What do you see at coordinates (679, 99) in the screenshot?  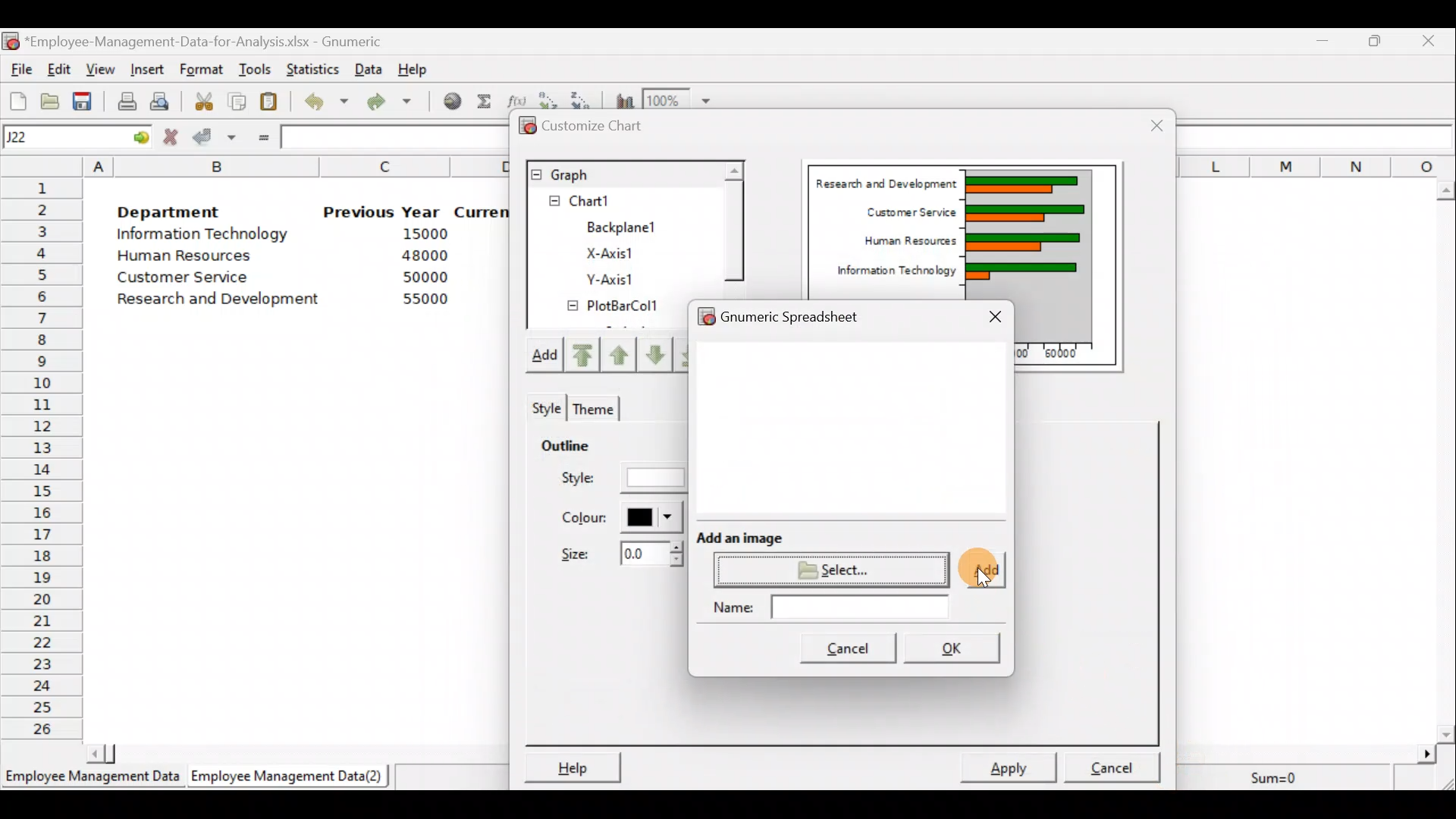 I see `Zoom` at bounding box center [679, 99].